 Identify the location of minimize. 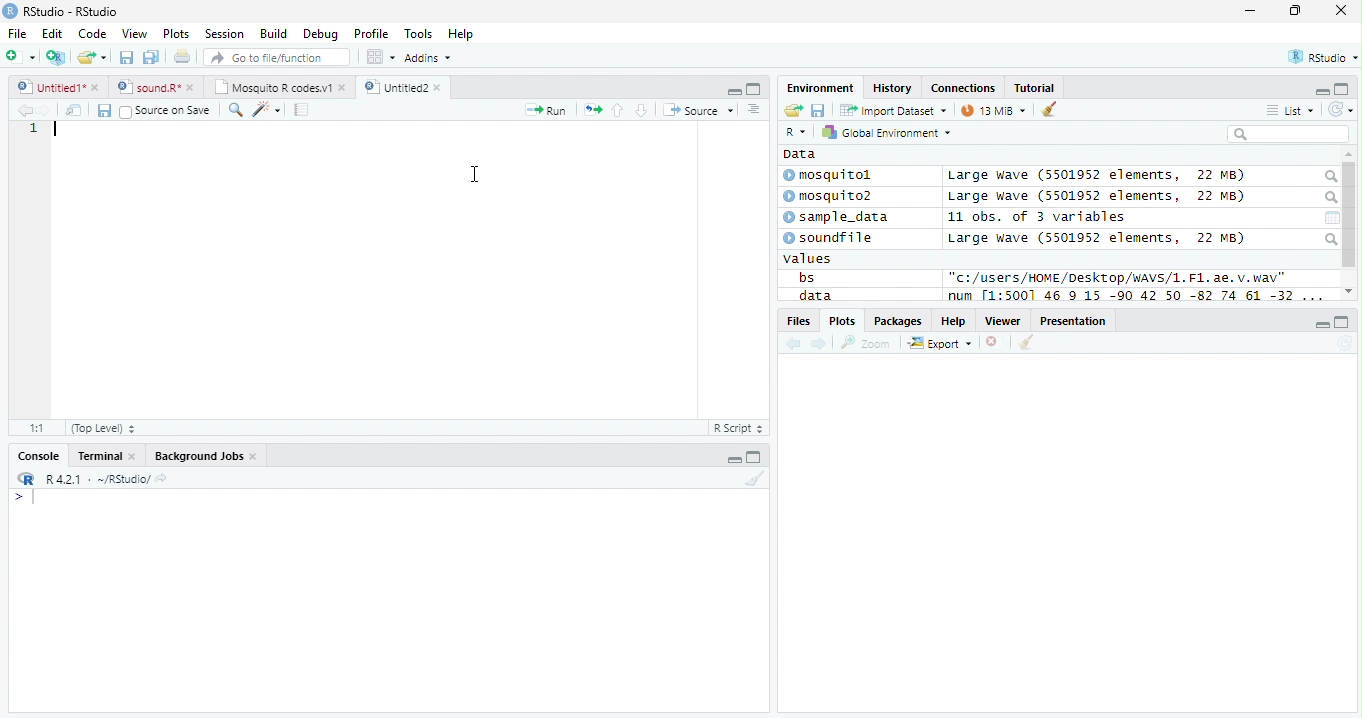
(734, 90).